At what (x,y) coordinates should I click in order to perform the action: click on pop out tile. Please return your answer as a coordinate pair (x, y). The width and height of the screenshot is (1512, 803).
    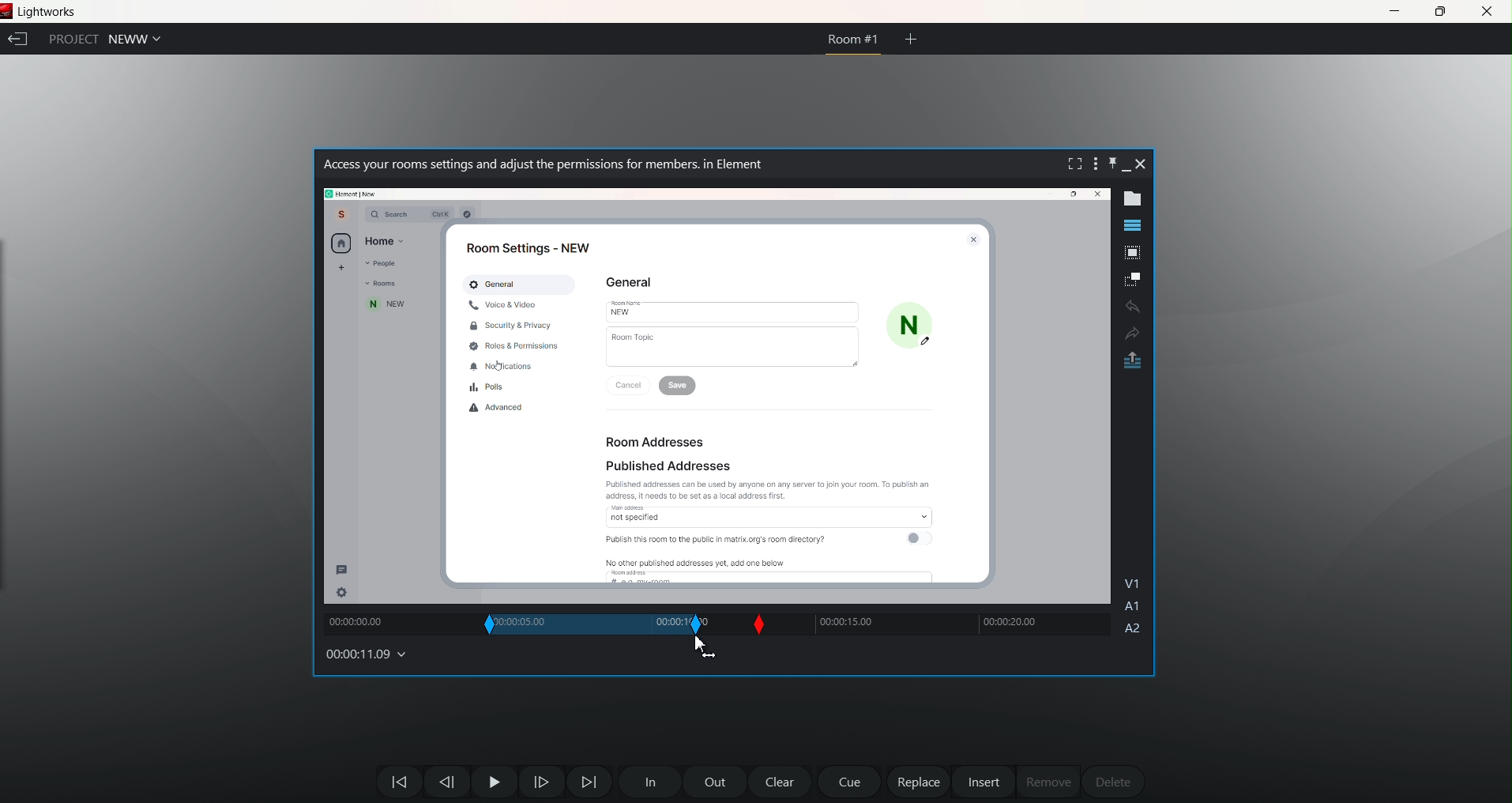
    Looking at the image, I should click on (1134, 252).